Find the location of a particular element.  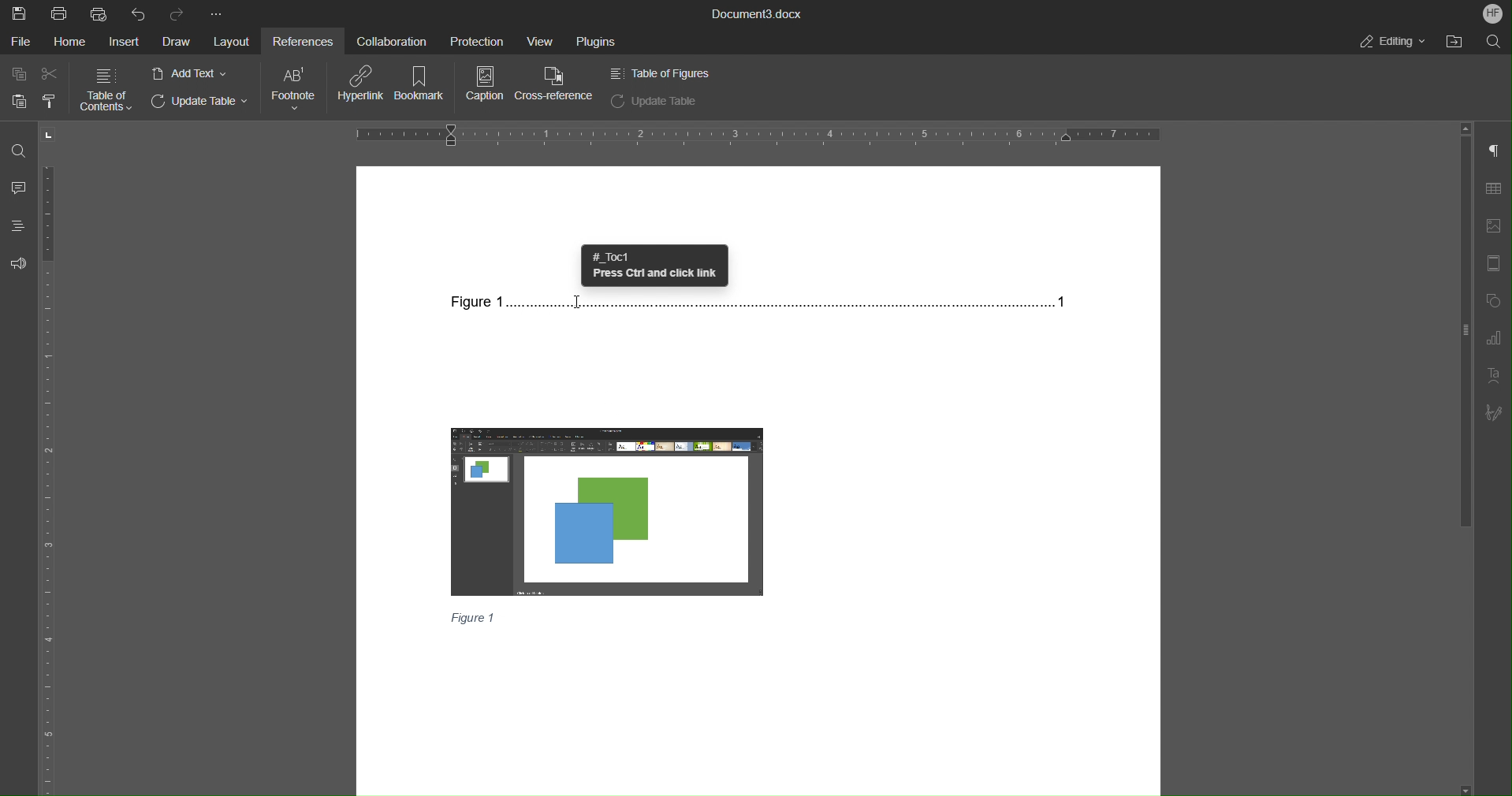

Text Art is located at coordinates (1495, 377).